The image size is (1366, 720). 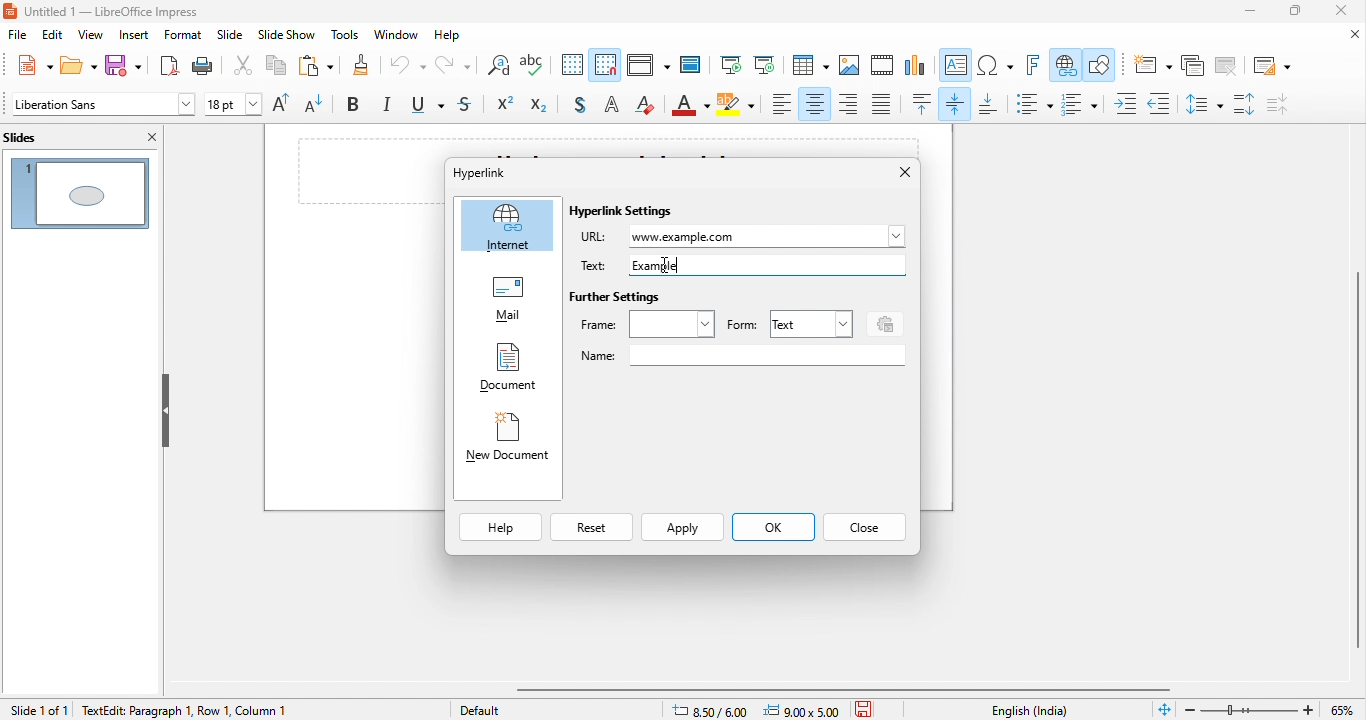 I want to click on toggle ordered list, so click(x=1083, y=104).